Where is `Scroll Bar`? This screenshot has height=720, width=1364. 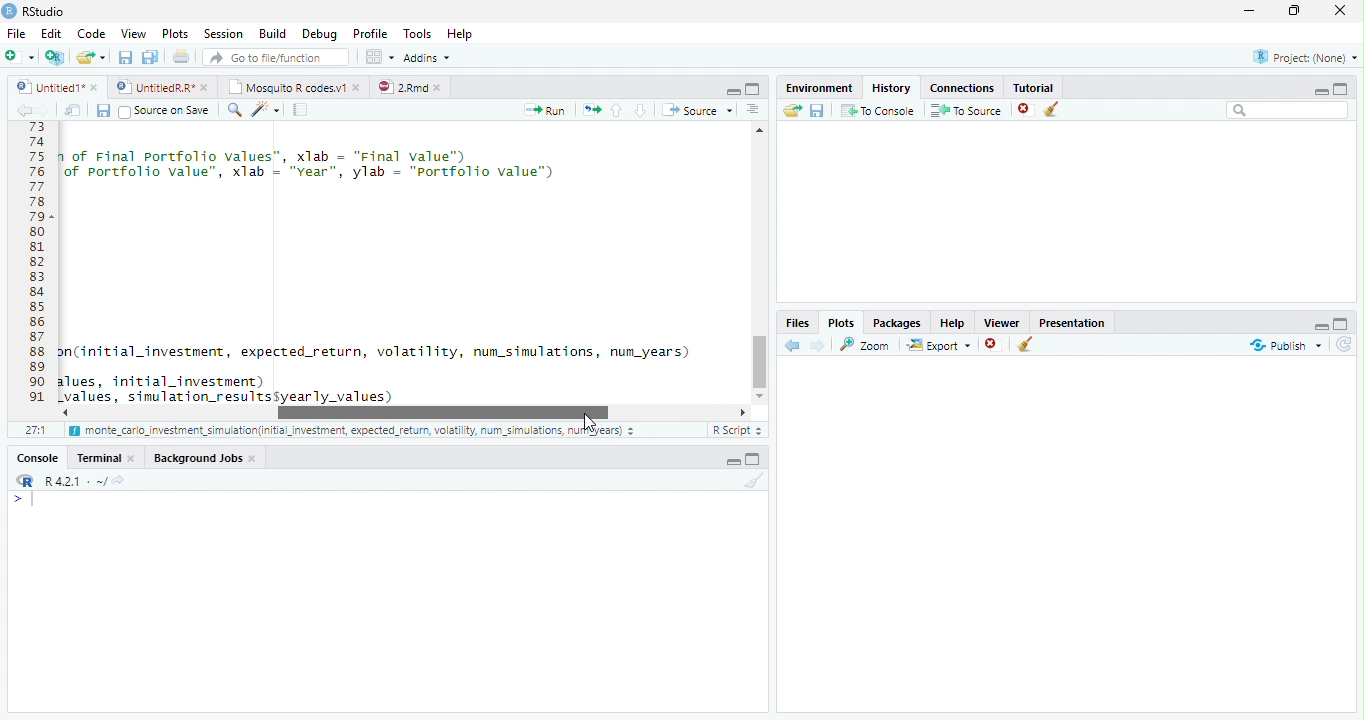
Scroll Bar is located at coordinates (760, 358).